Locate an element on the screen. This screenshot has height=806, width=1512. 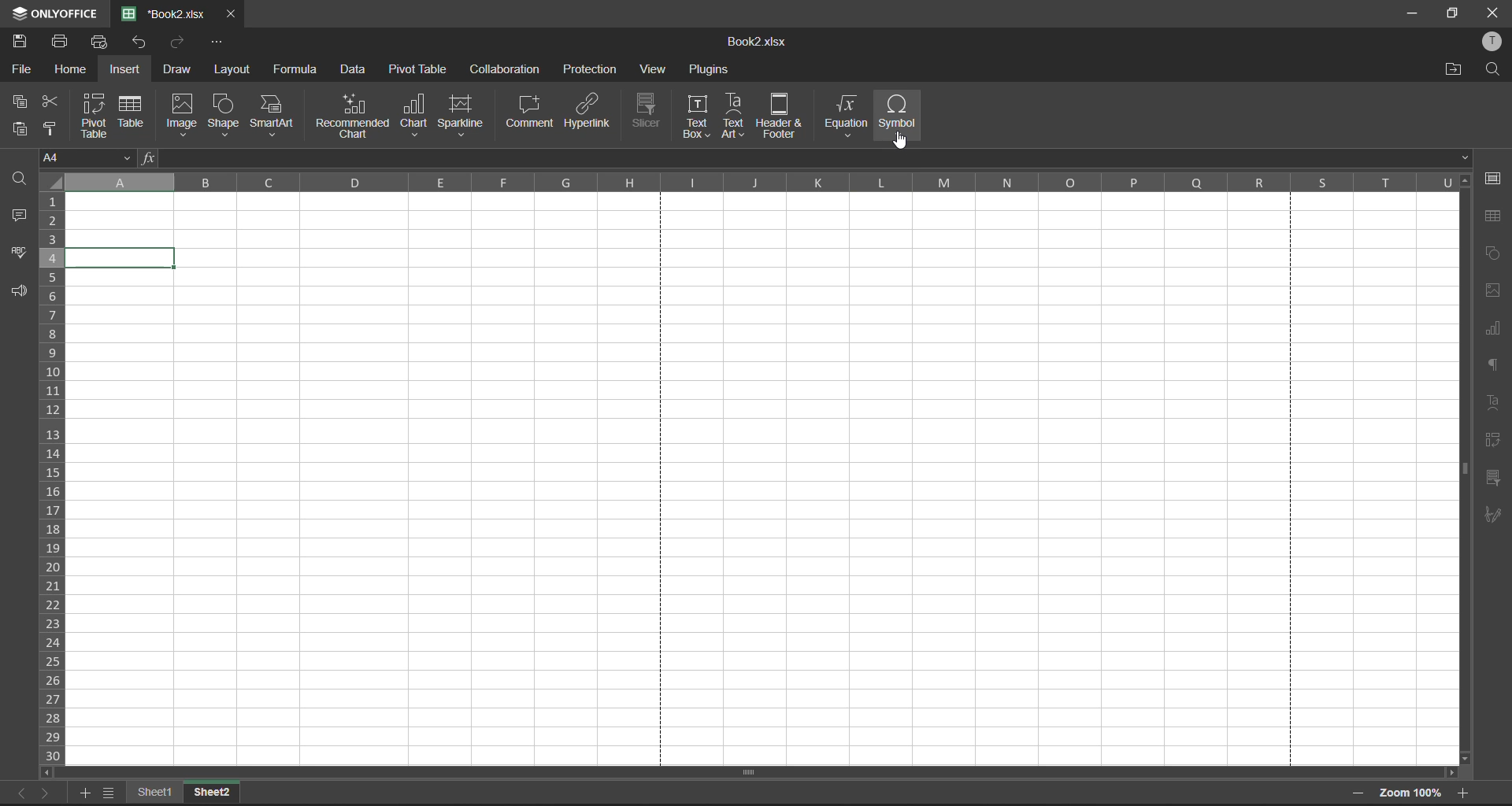
zoom out is located at coordinates (1352, 794).